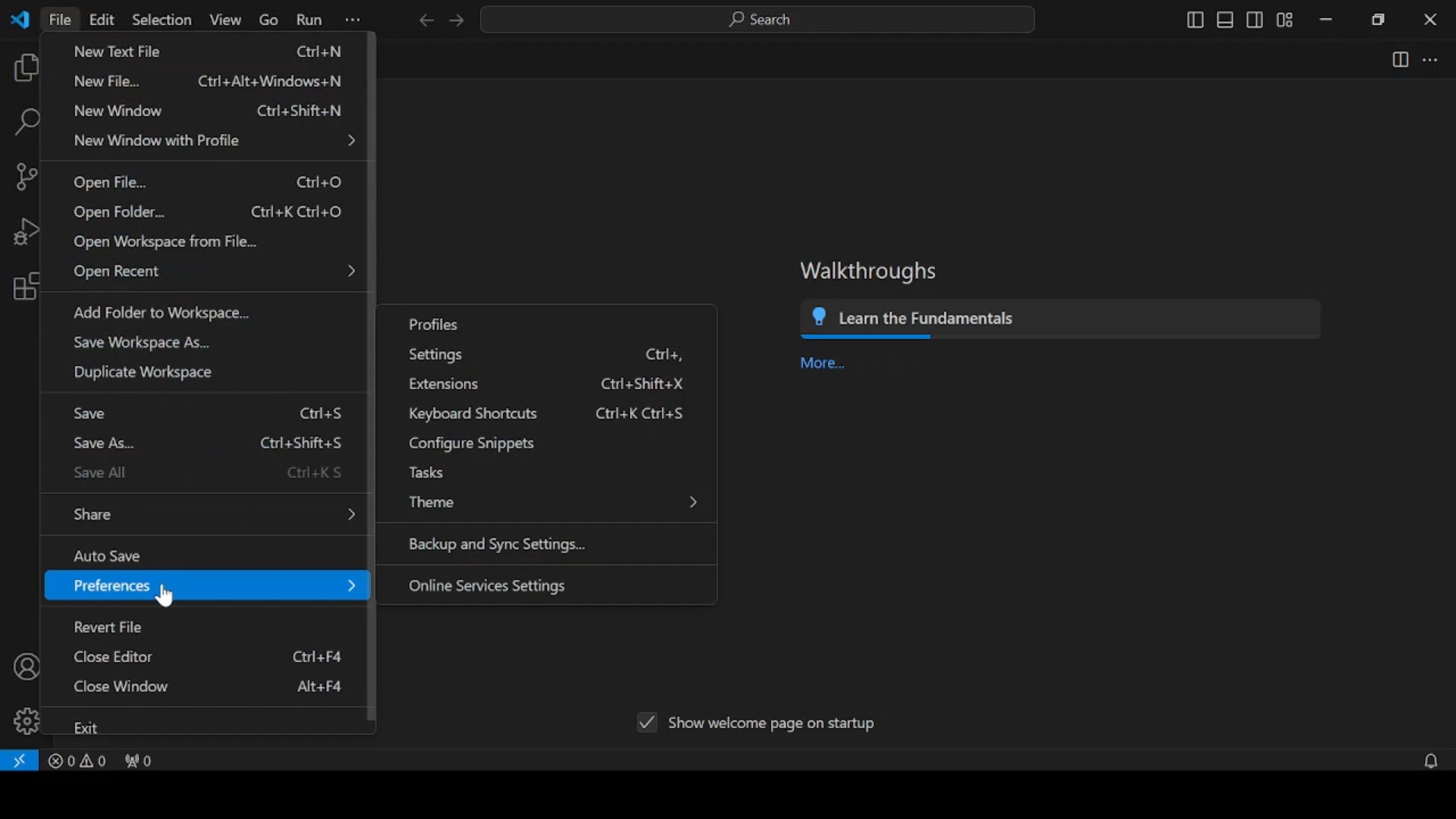 This screenshot has height=819, width=1456. Describe the element at coordinates (87, 726) in the screenshot. I see `exit` at that location.